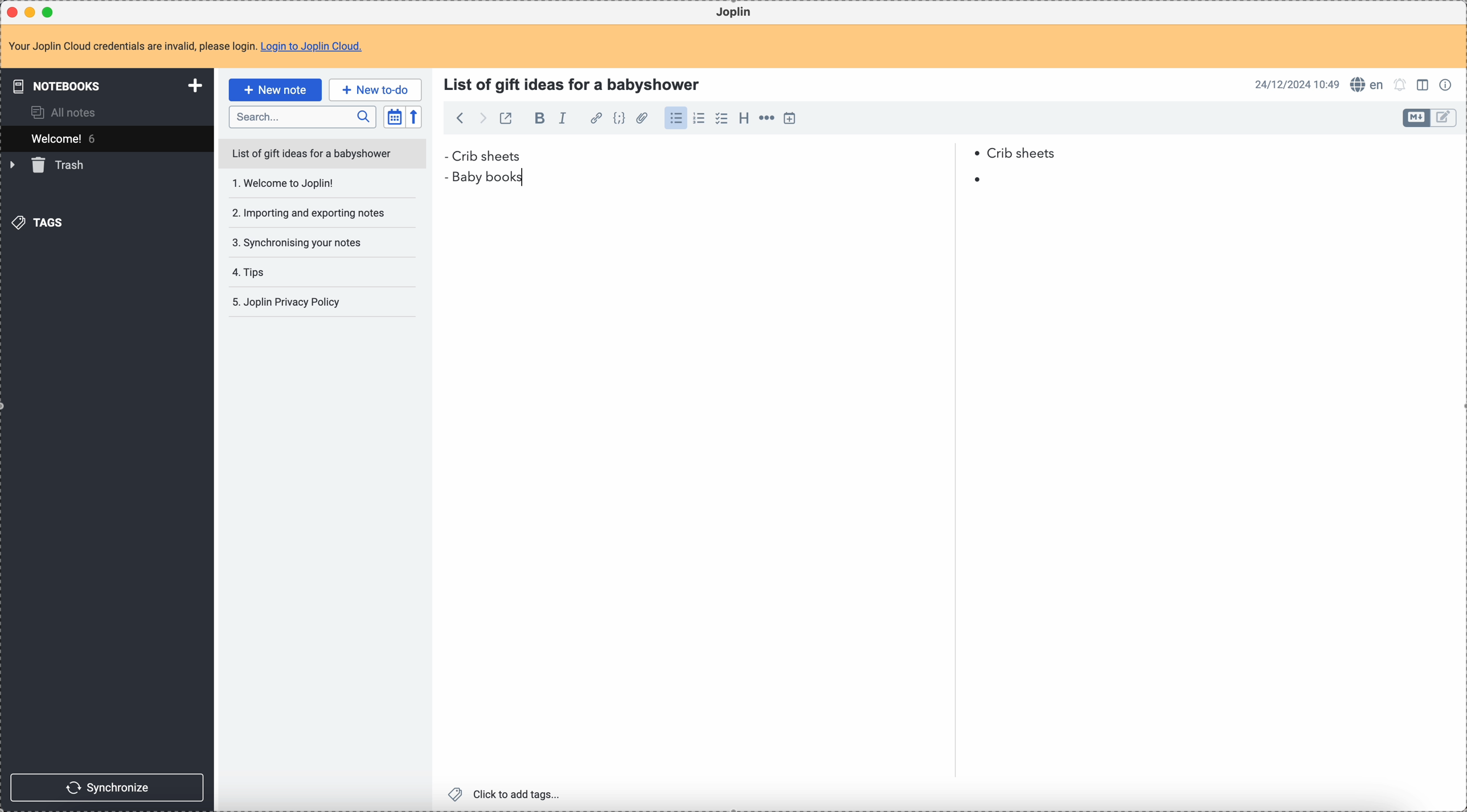  Describe the element at coordinates (1444, 118) in the screenshot. I see `toggle edit layout` at that location.